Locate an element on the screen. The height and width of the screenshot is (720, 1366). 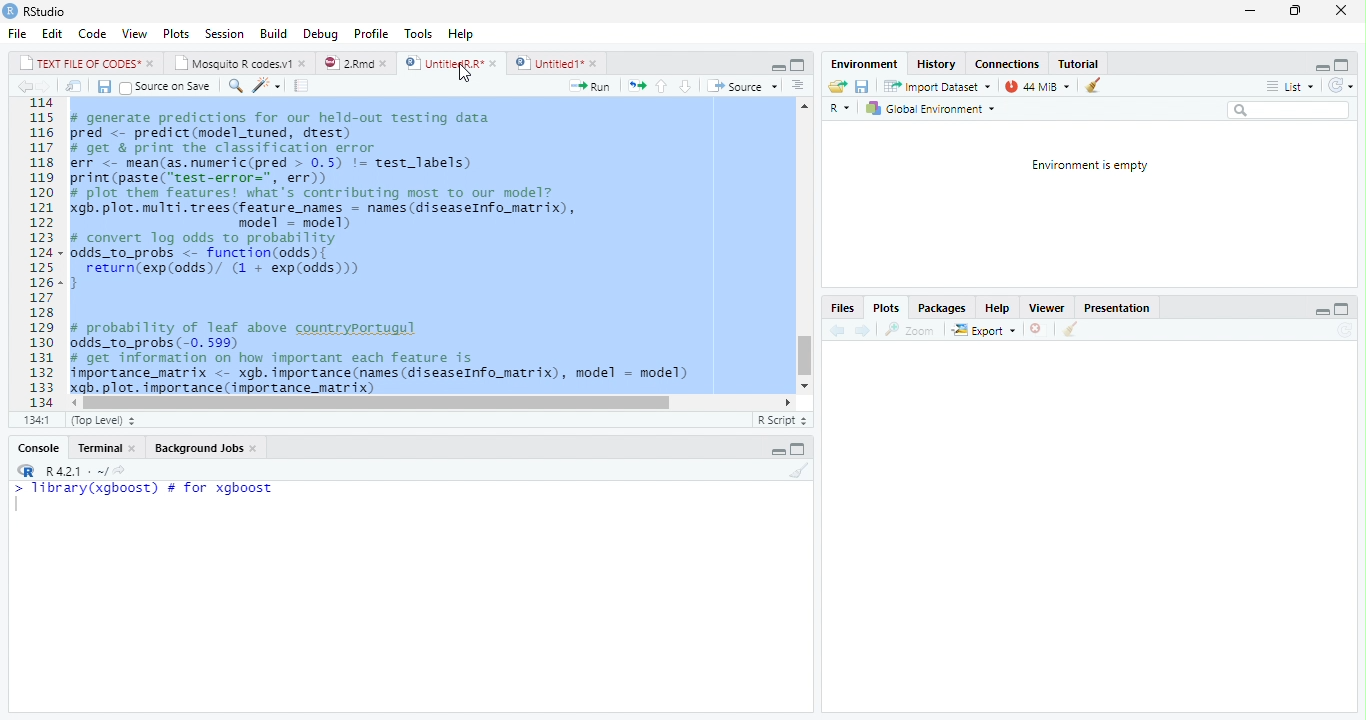
Debug is located at coordinates (319, 35).